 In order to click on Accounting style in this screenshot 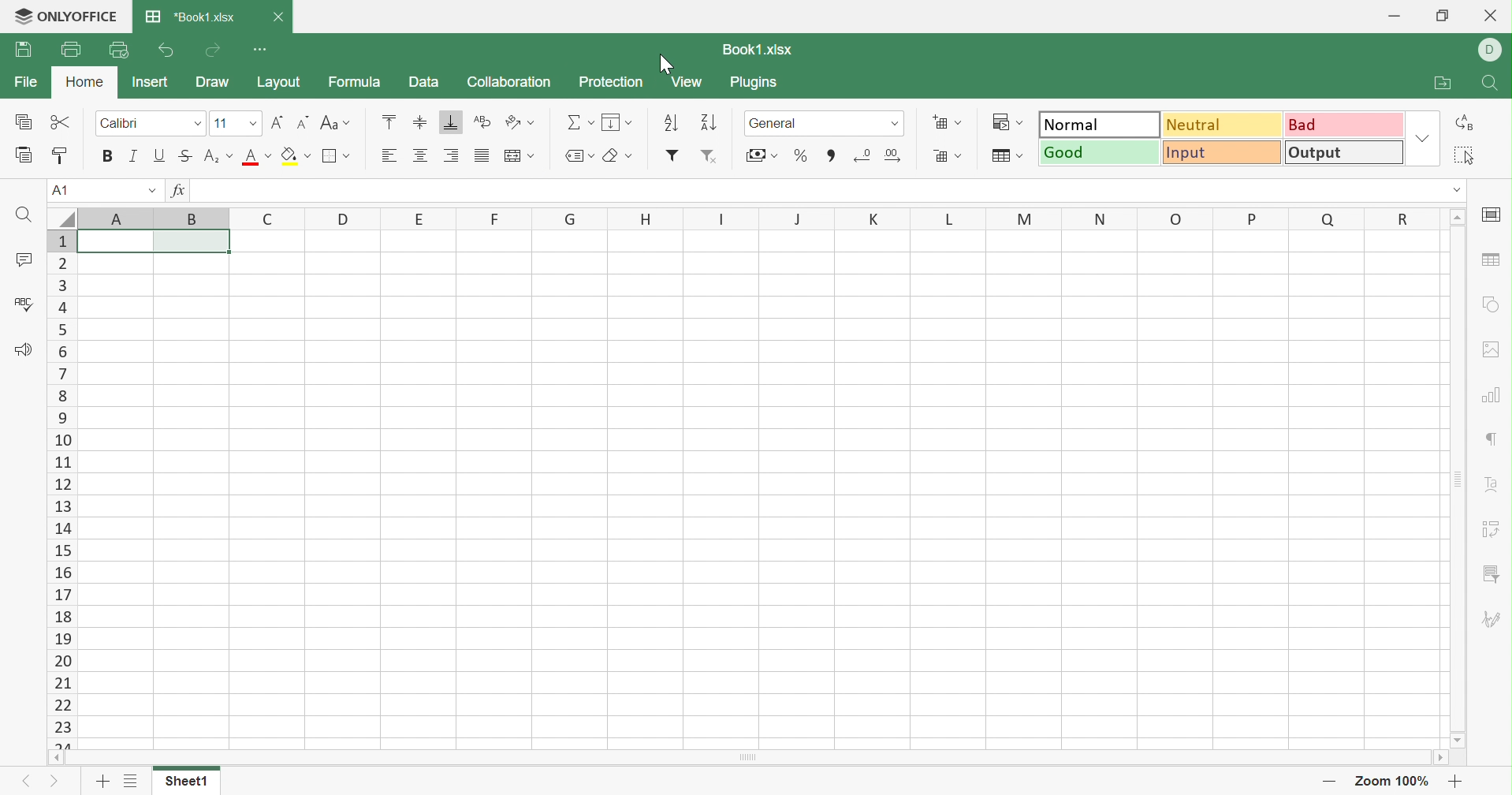, I will do `click(764, 156)`.